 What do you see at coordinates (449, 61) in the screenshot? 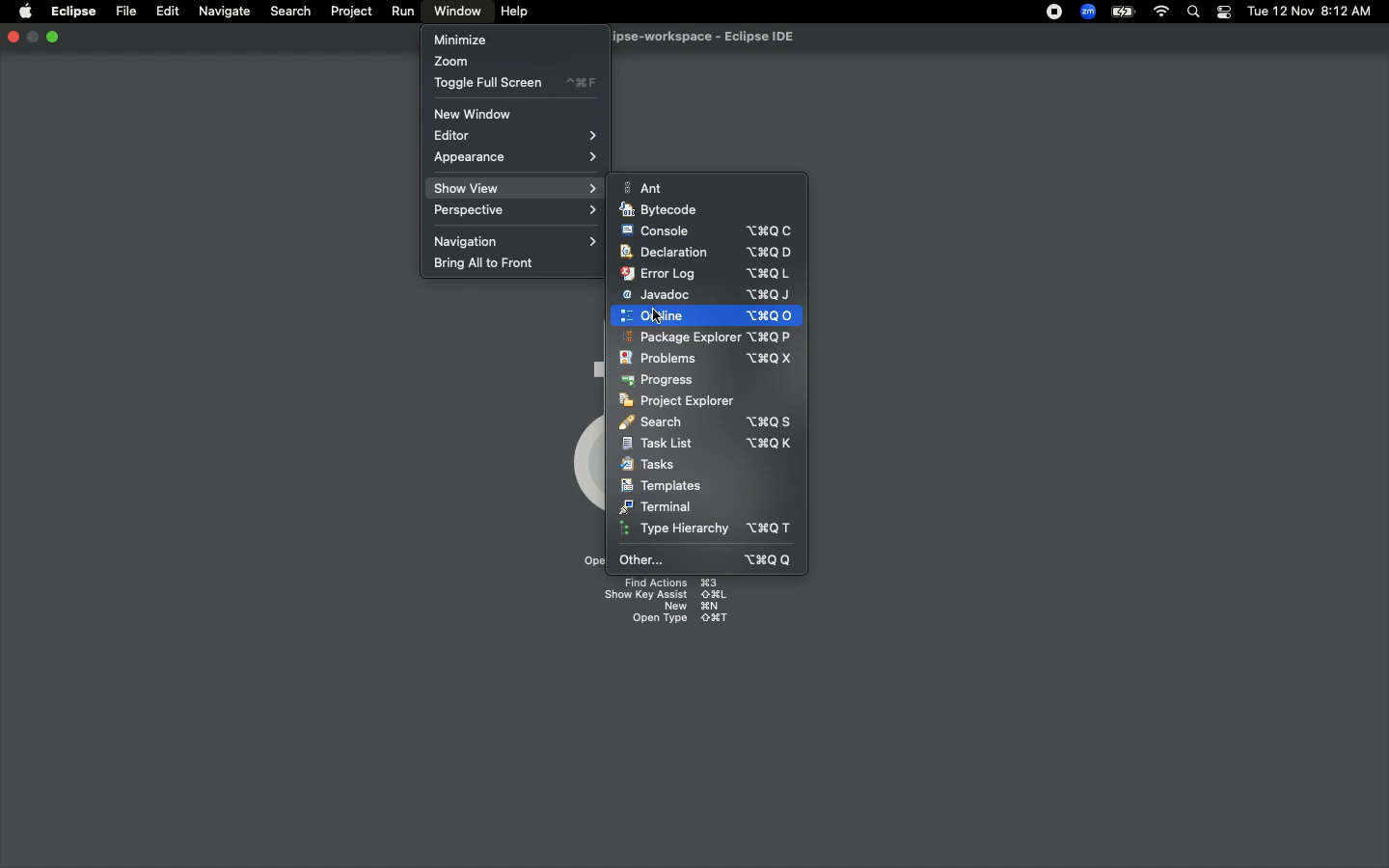
I see `Zoom` at bounding box center [449, 61].